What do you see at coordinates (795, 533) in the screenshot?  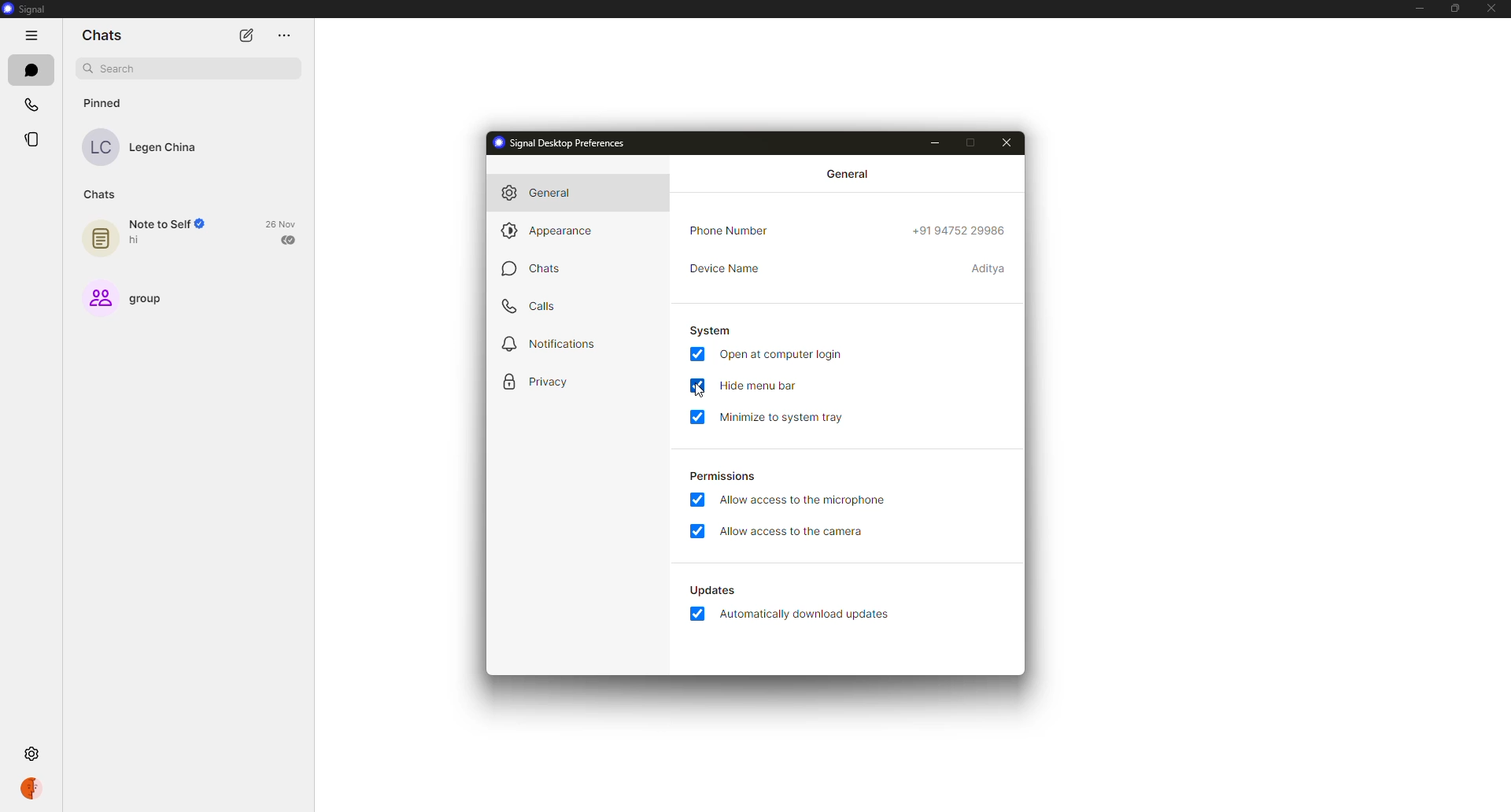 I see `allow access to camera` at bounding box center [795, 533].